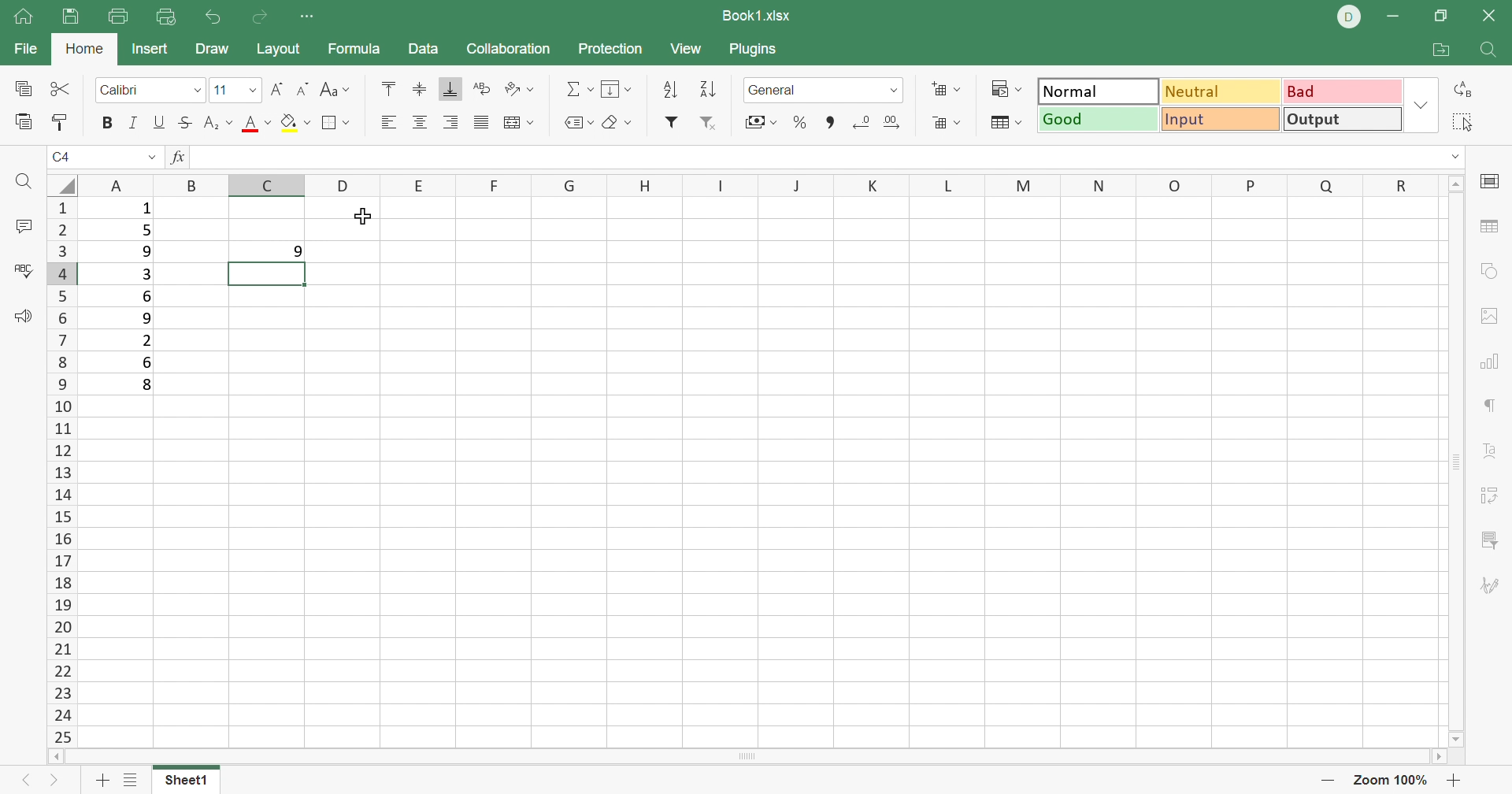 This screenshot has width=1512, height=794. I want to click on Drop Down, so click(197, 90).